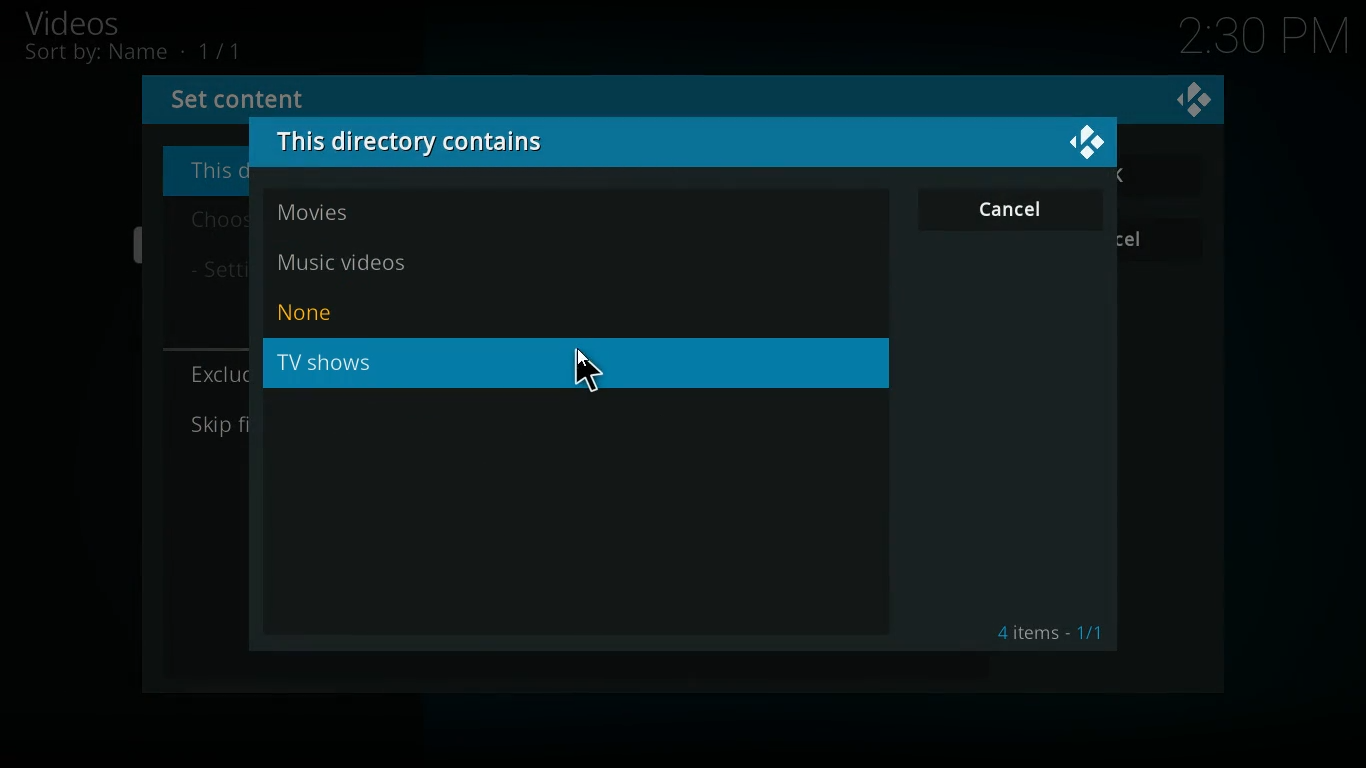  What do you see at coordinates (1264, 41) in the screenshot?
I see `2:29 PM` at bounding box center [1264, 41].